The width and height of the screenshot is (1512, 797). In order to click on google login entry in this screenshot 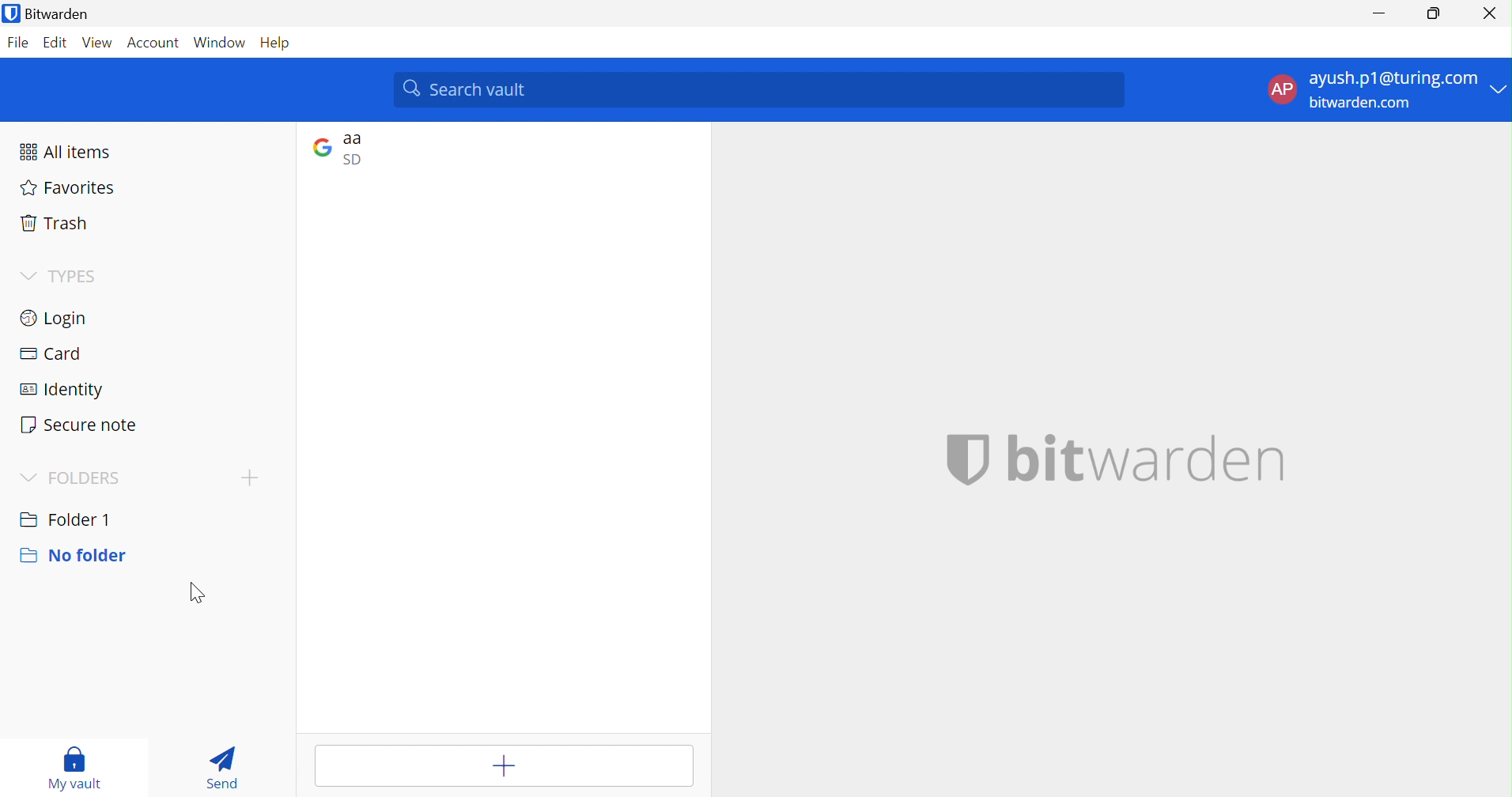, I will do `click(484, 146)`.